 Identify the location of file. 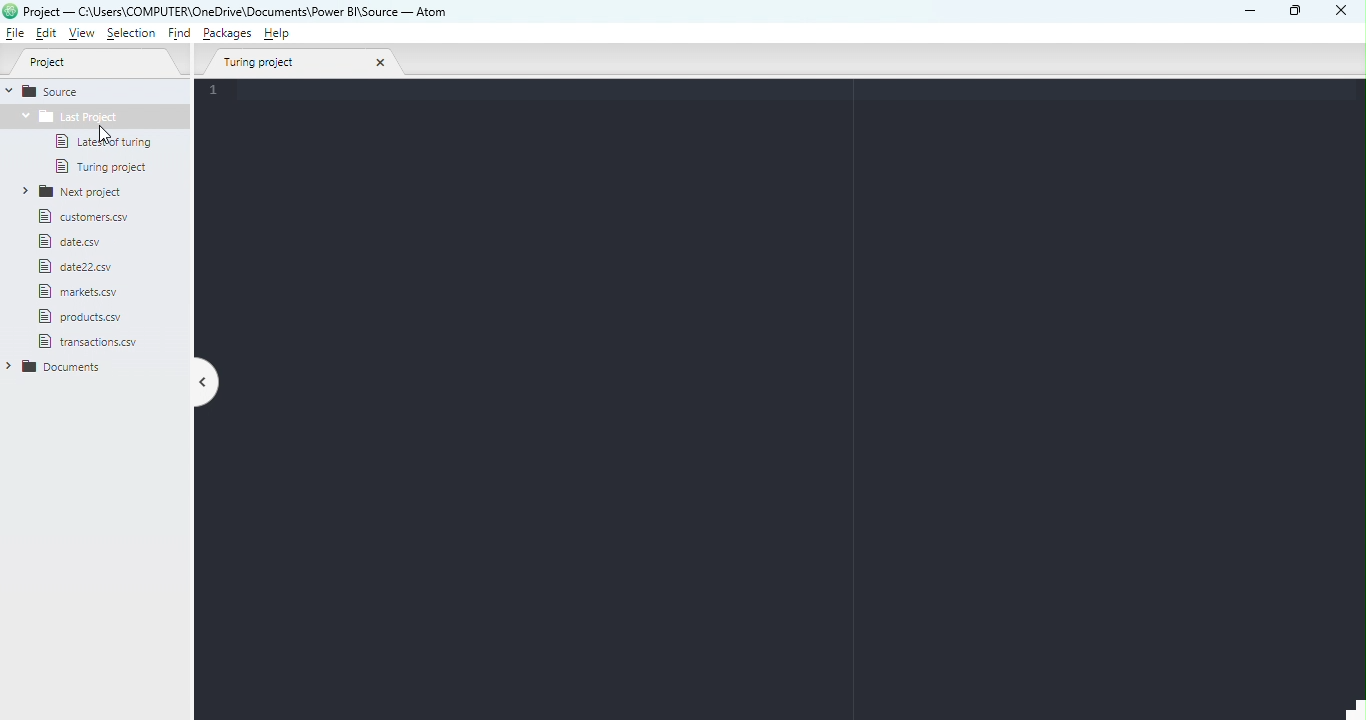
(87, 266).